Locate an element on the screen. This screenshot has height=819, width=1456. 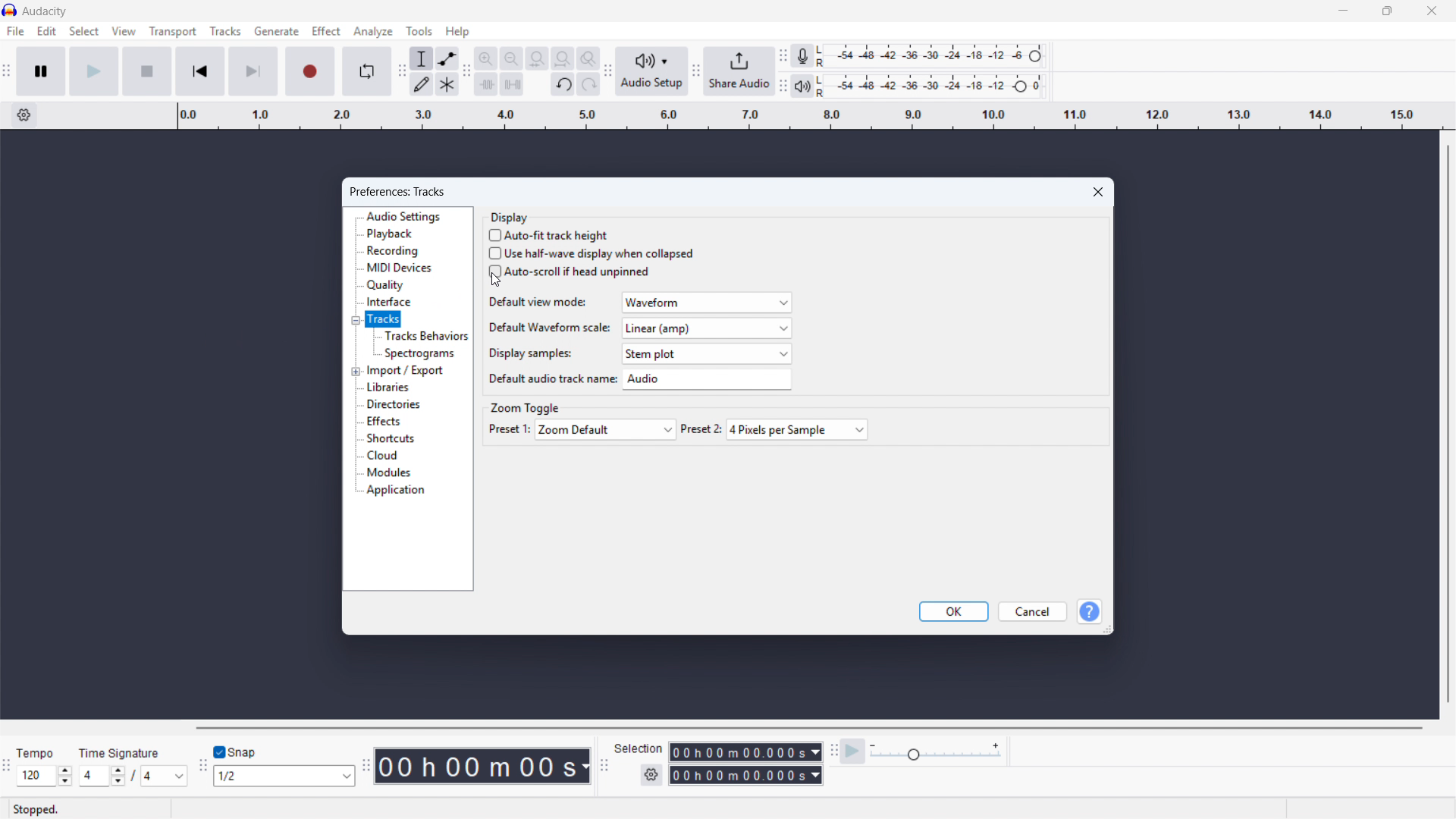
transport toolbar is located at coordinates (6, 73).